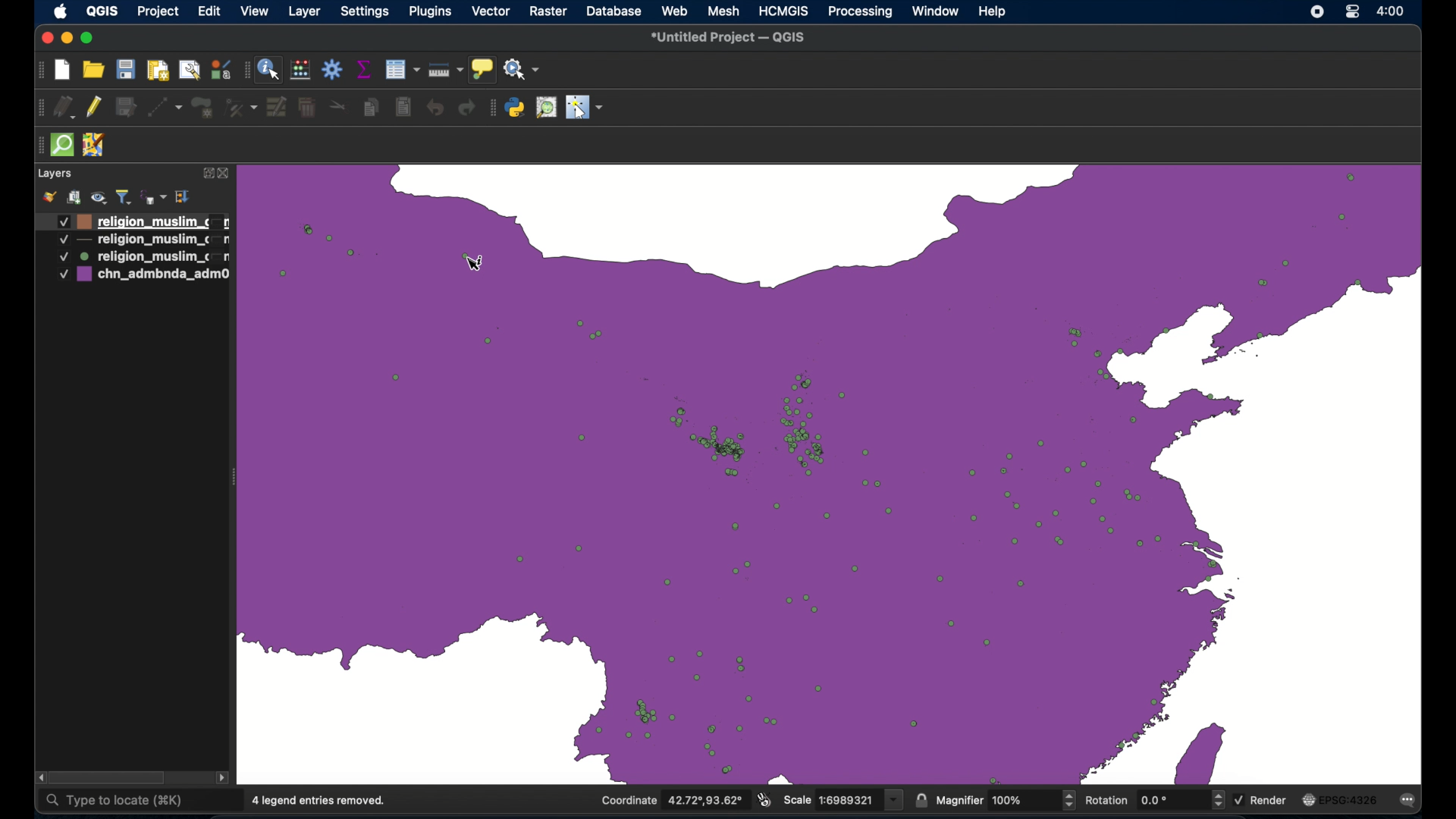 The height and width of the screenshot is (819, 1456). I want to click on view, so click(256, 11).